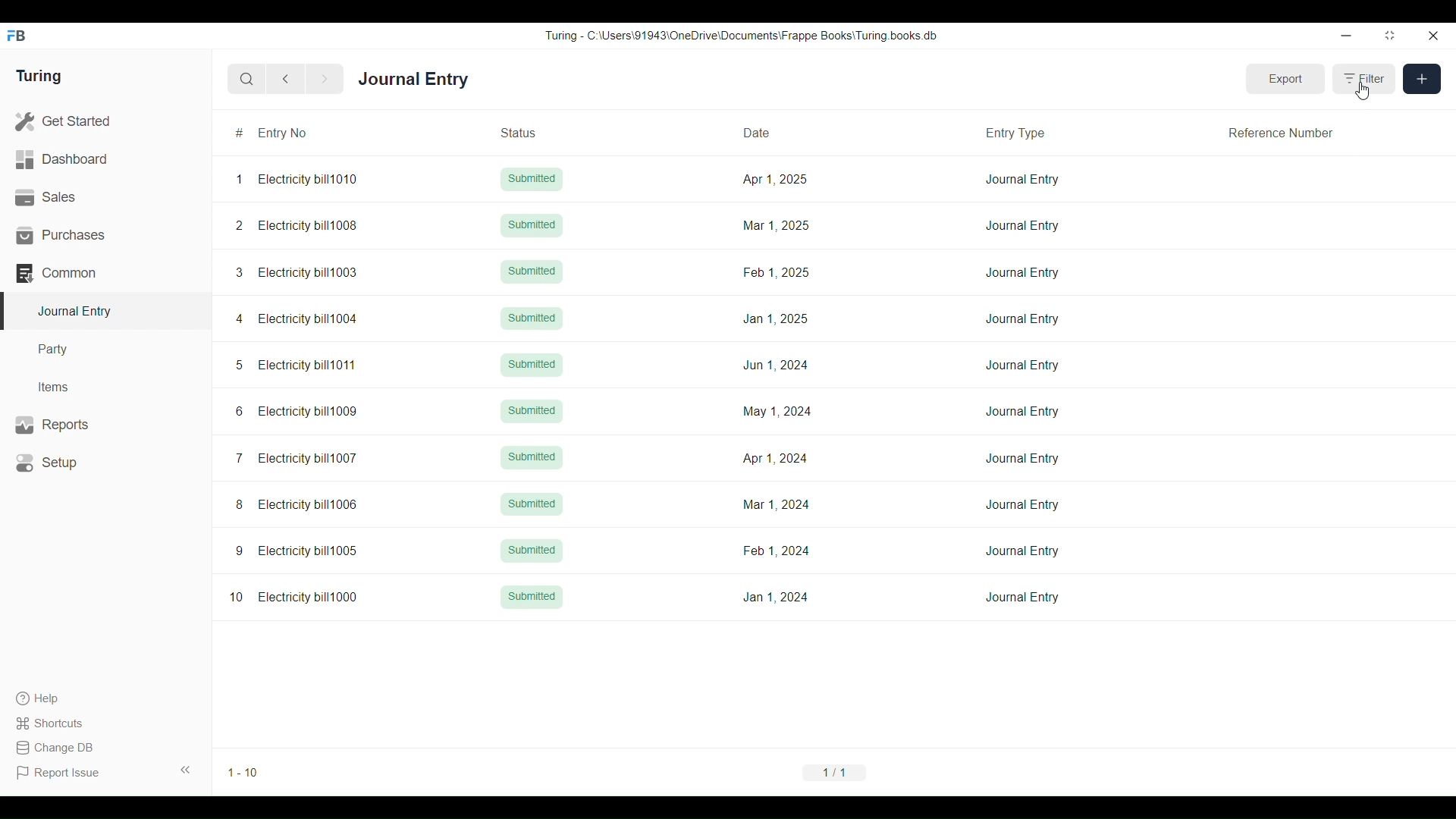 This screenshot has width=1456, height=819. Describe the element at coordinates (532, 550) in the screenshot. I see `Submitted` at that location.